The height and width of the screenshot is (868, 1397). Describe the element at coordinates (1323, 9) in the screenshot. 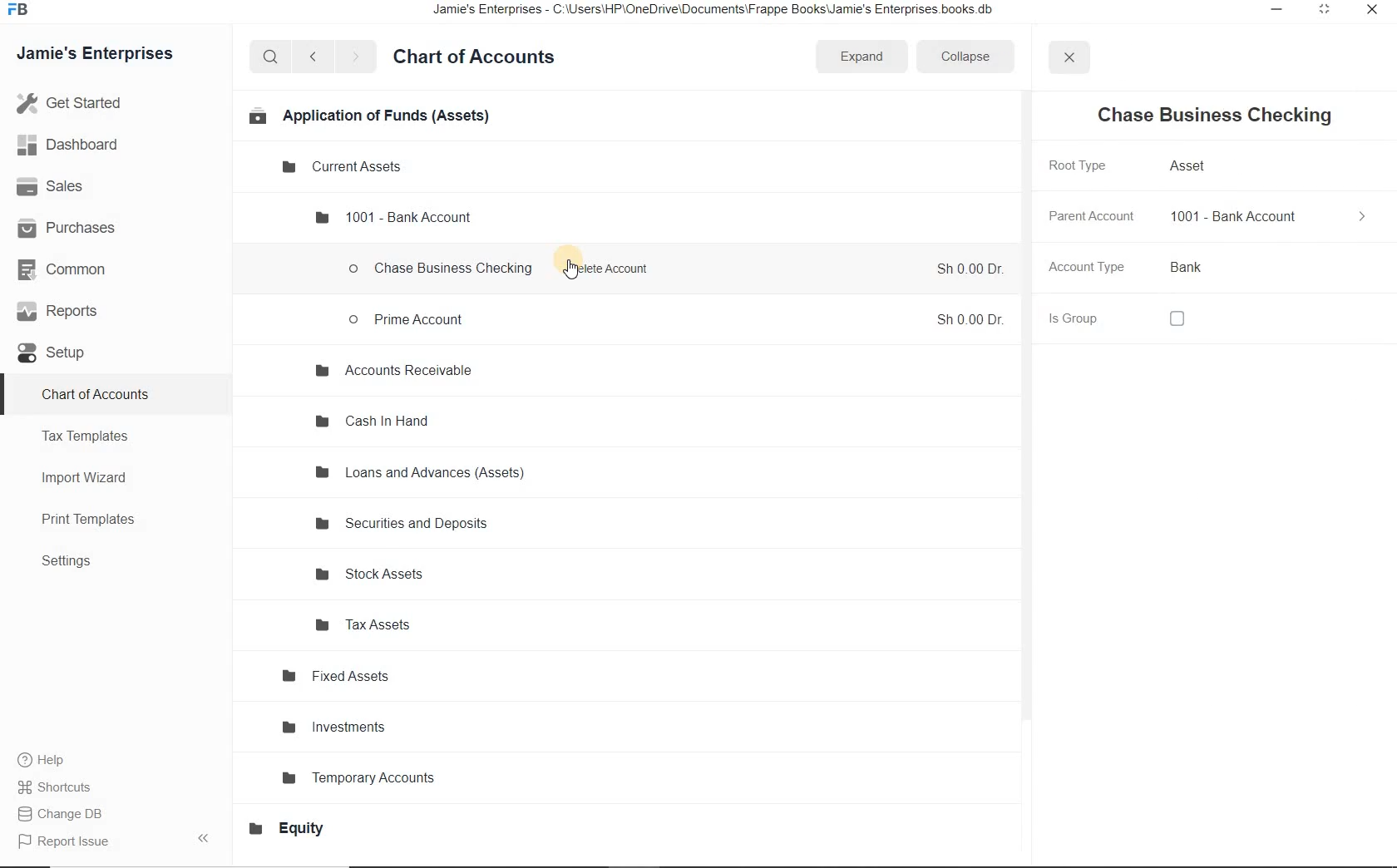

I see `maximize` at that location.